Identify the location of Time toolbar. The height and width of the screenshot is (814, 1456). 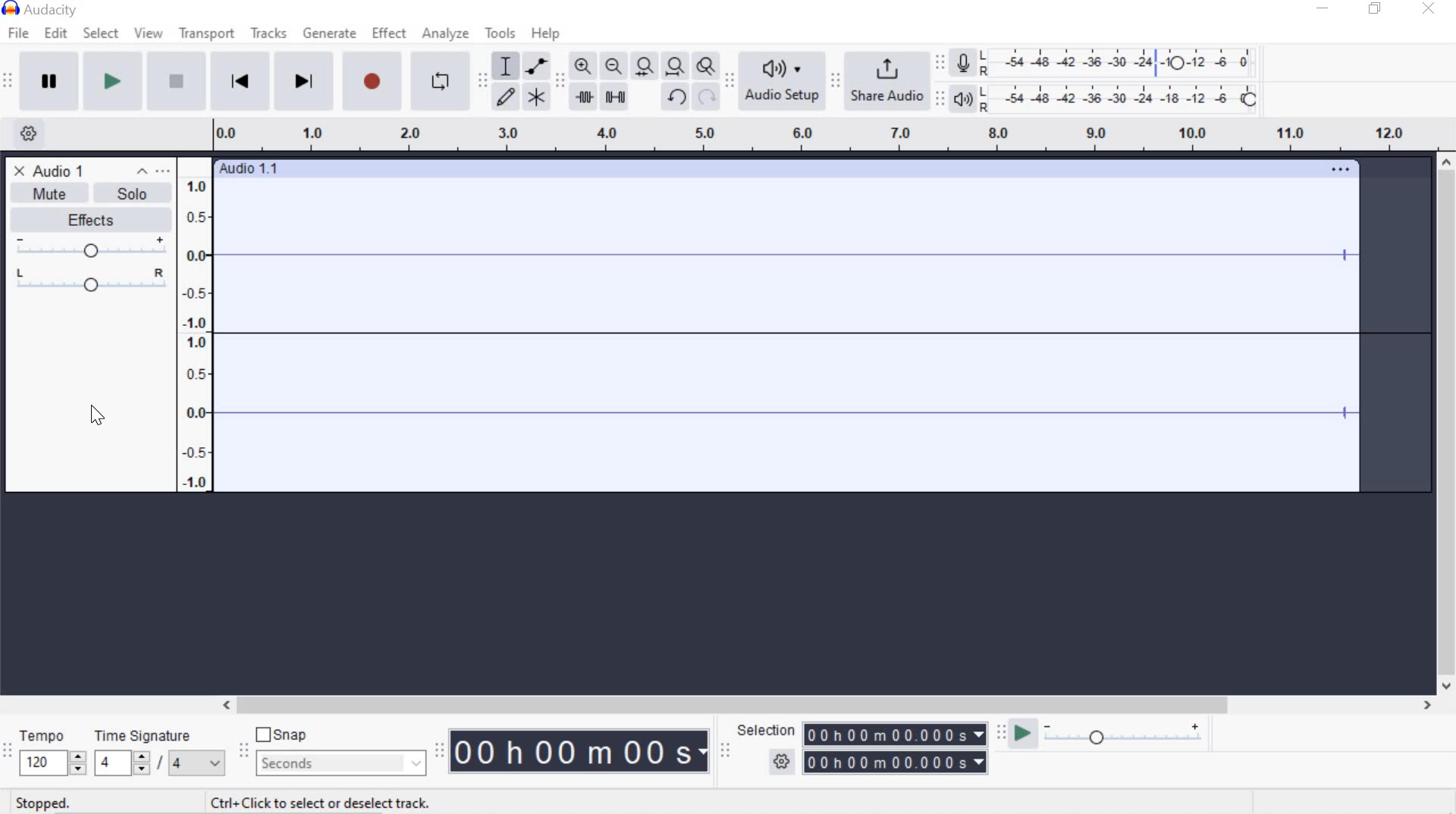
(441, 750).